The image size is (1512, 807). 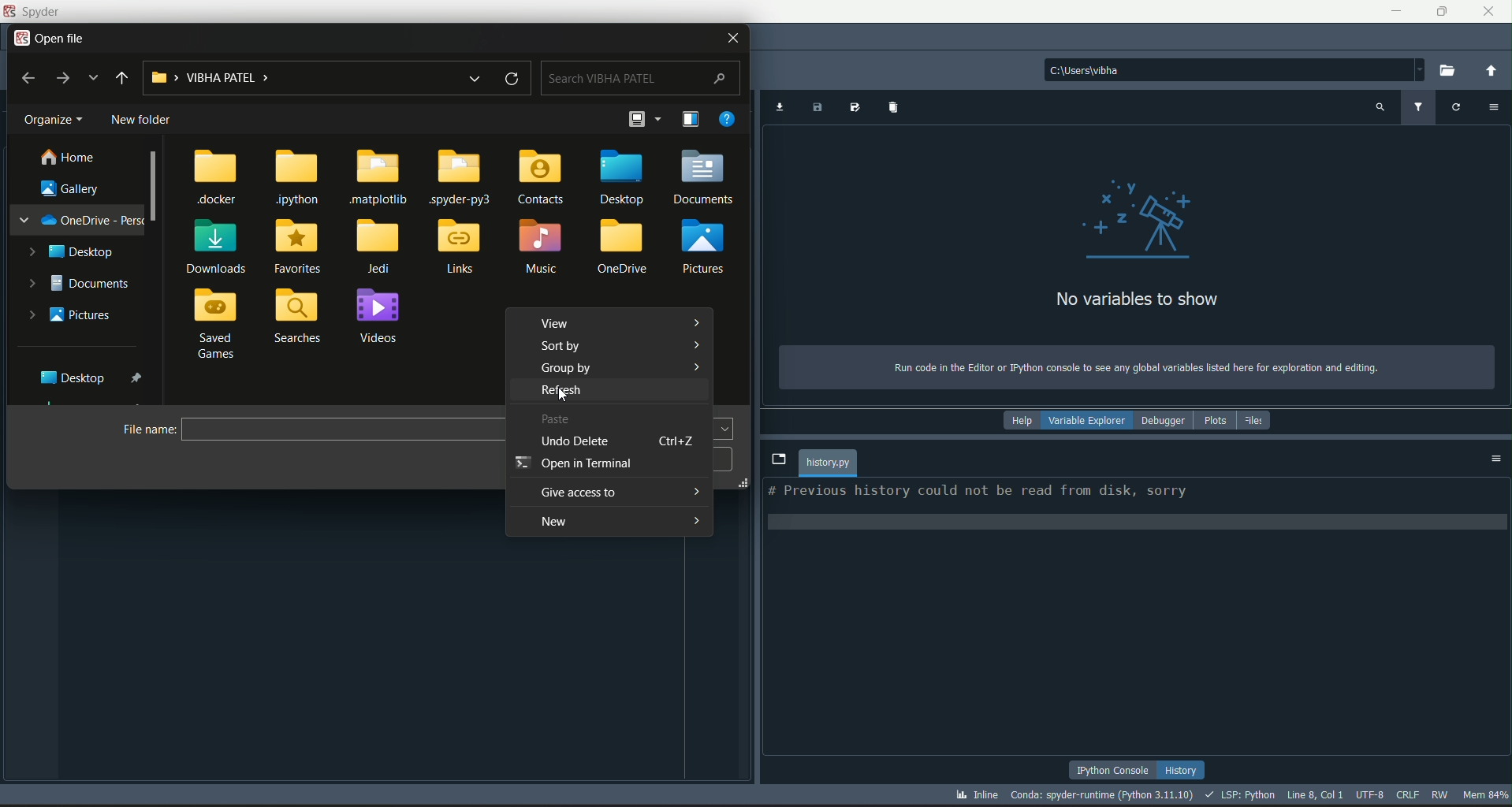 I want to click on documents, so click(x=705, y=177).